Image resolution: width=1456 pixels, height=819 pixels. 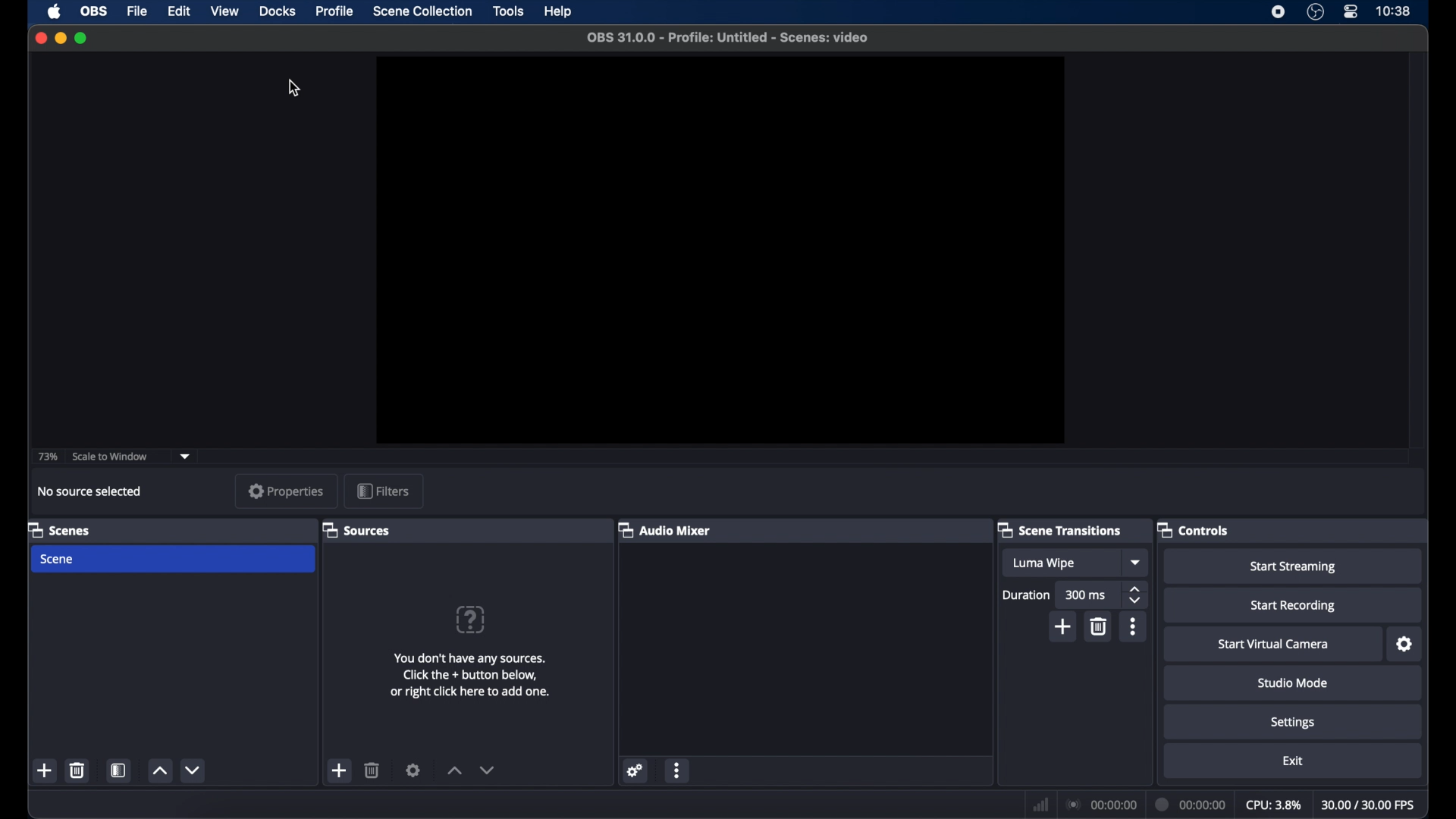 What do you see at coordinates (1087, 595) in the screenshot?
I see `300 ms` at bounding box center [1087, 595].